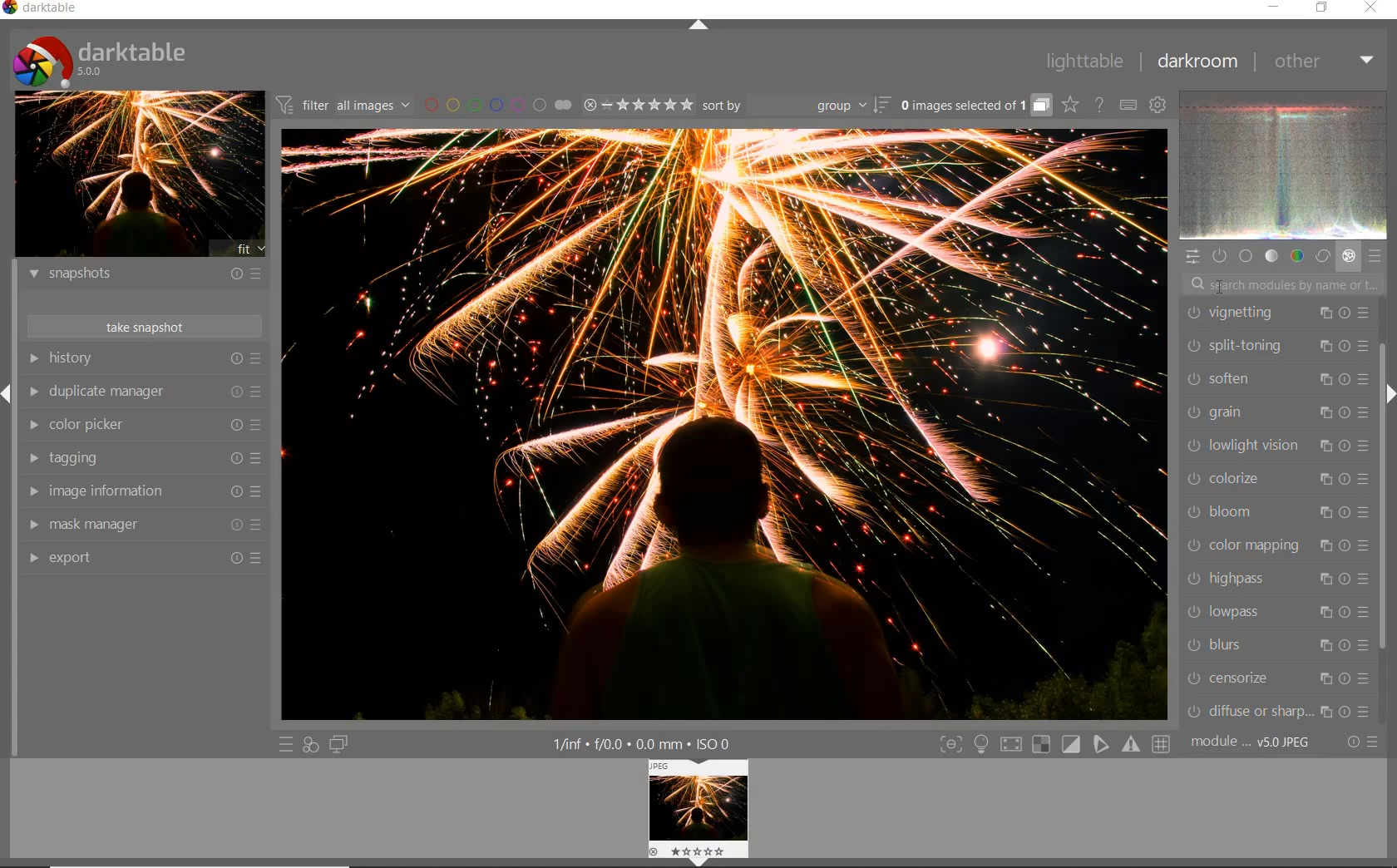 The width and height of the screenshot is (1397, 868). What do you see at coordinates (726, 424) in the screenshot?
I see `selected image` at bounding box center [726, 424].